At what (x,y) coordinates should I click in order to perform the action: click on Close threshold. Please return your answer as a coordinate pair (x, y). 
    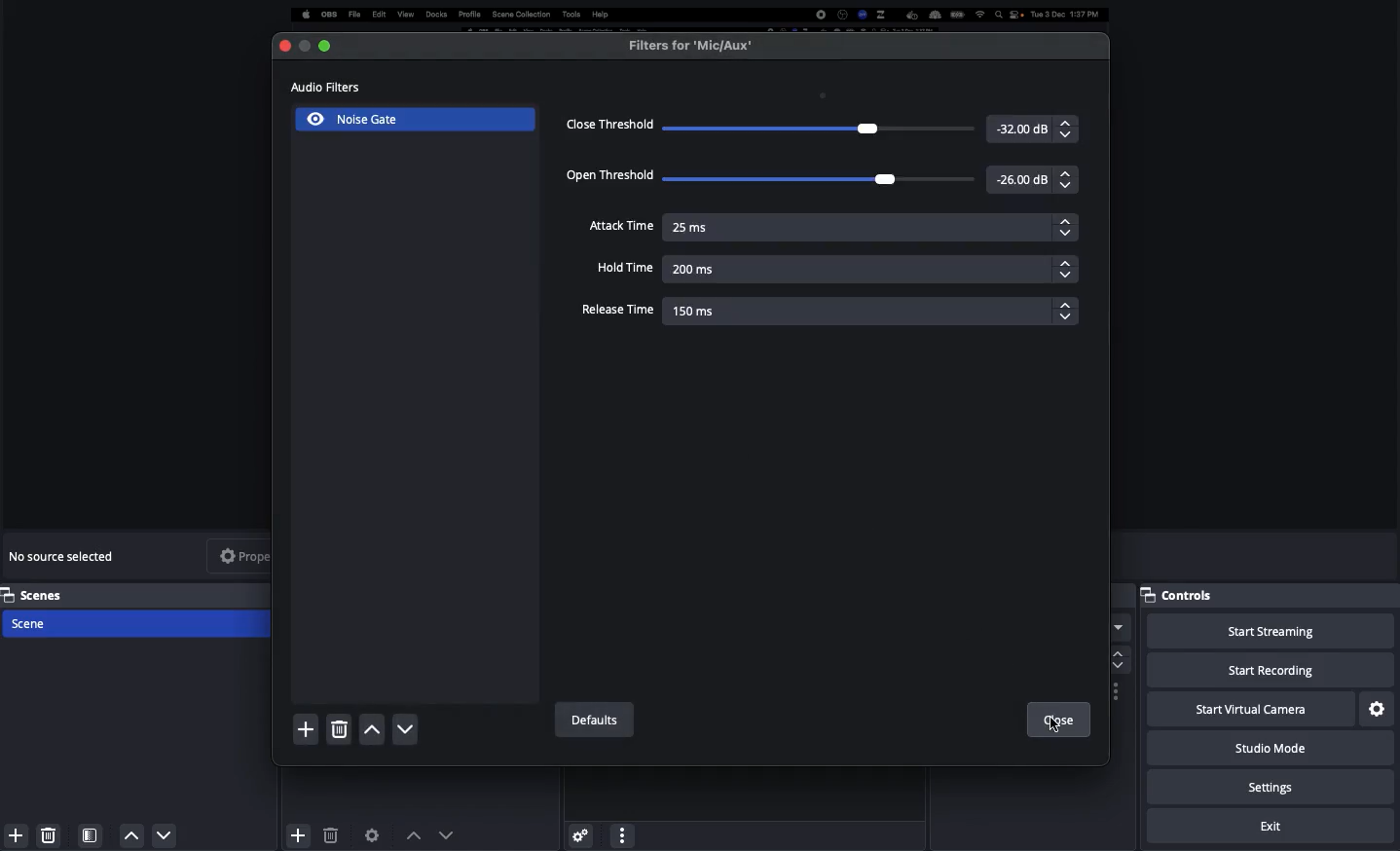
    Looking at the image, I should click on (821, 128).